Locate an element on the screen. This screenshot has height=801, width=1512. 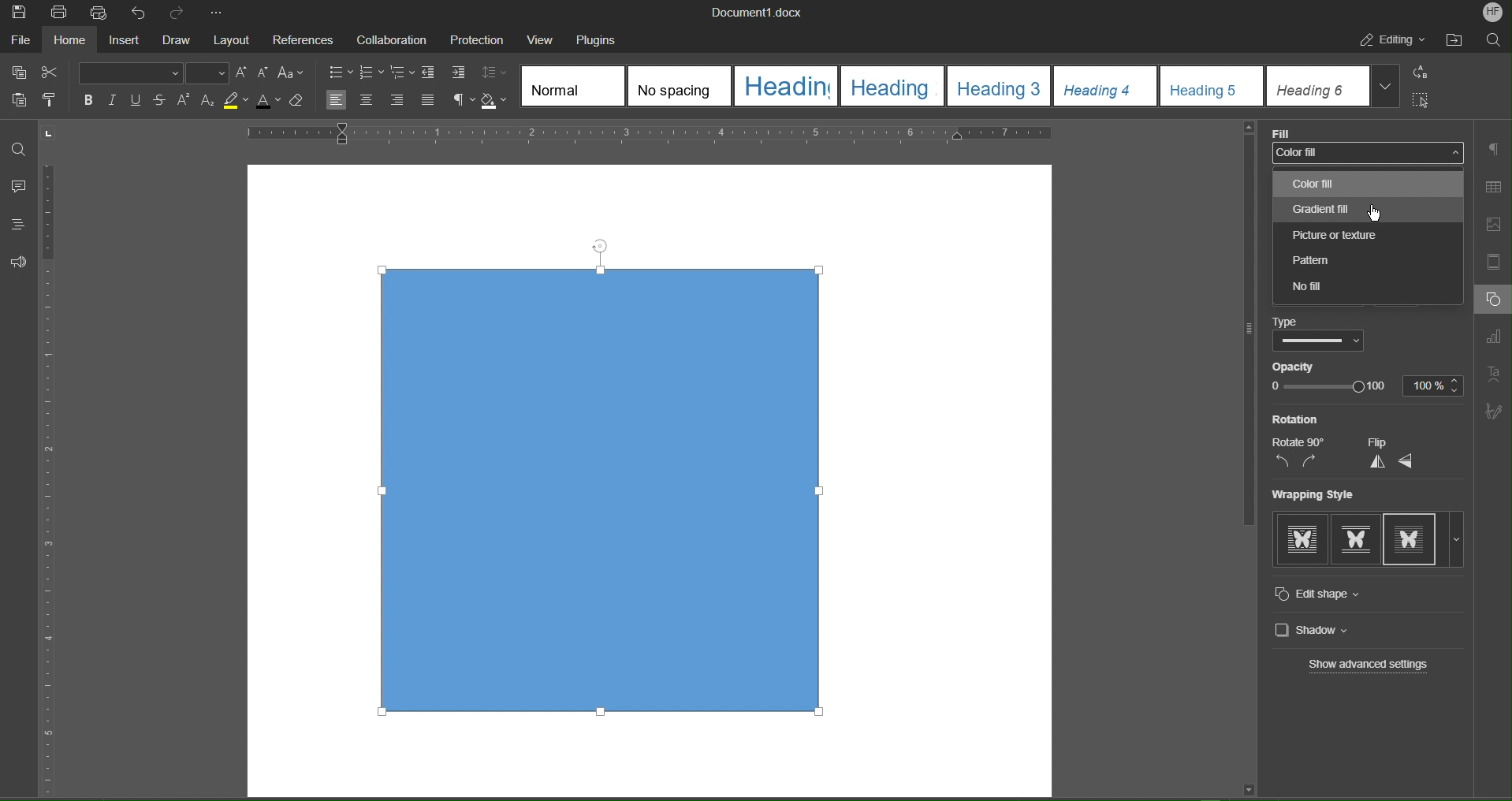
Bullet List is located at coordinates (340, 71).